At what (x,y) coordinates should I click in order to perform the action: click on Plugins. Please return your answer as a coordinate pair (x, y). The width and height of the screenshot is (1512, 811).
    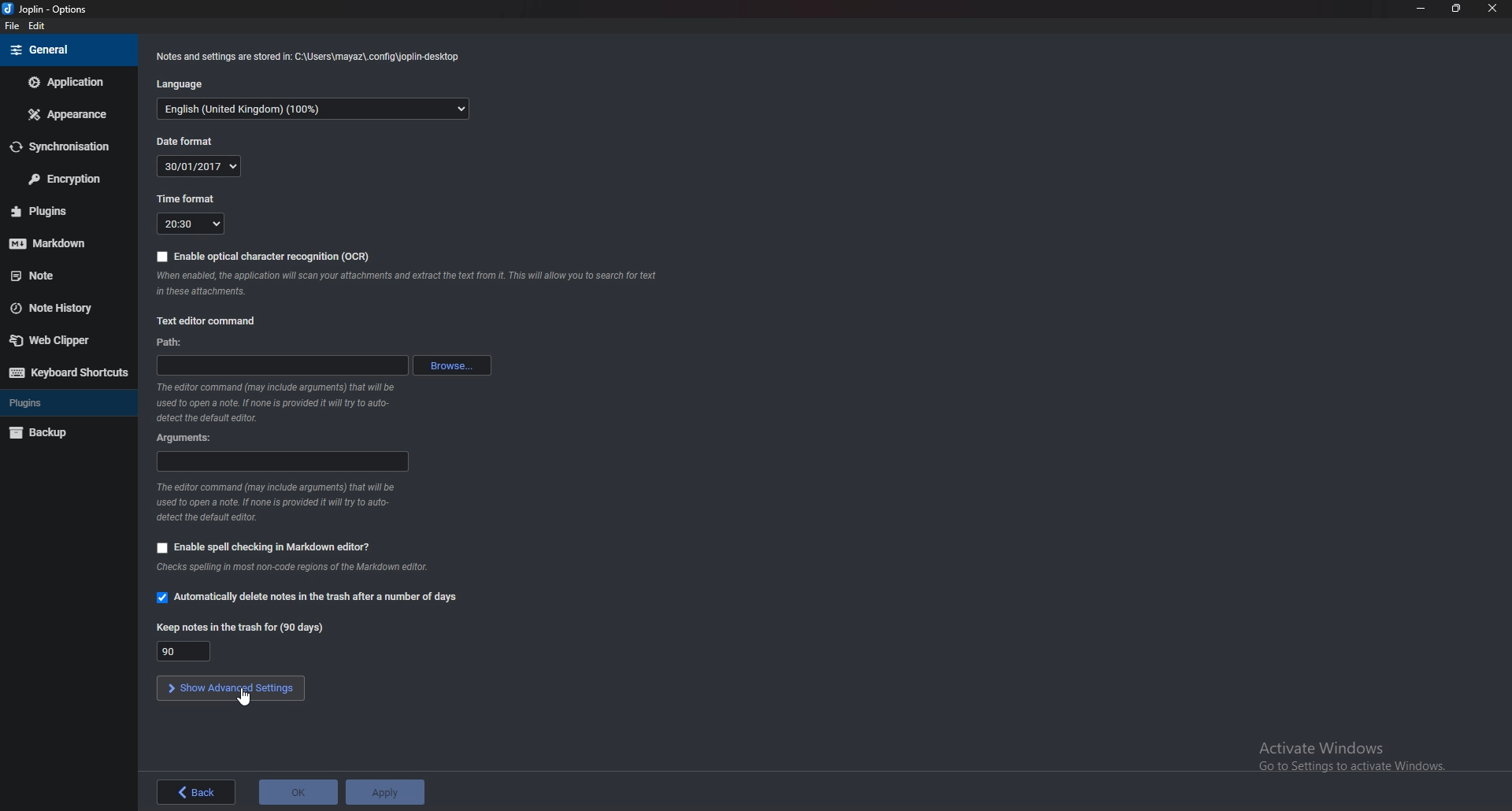
    Looking at the image, I should click on (66, 402).